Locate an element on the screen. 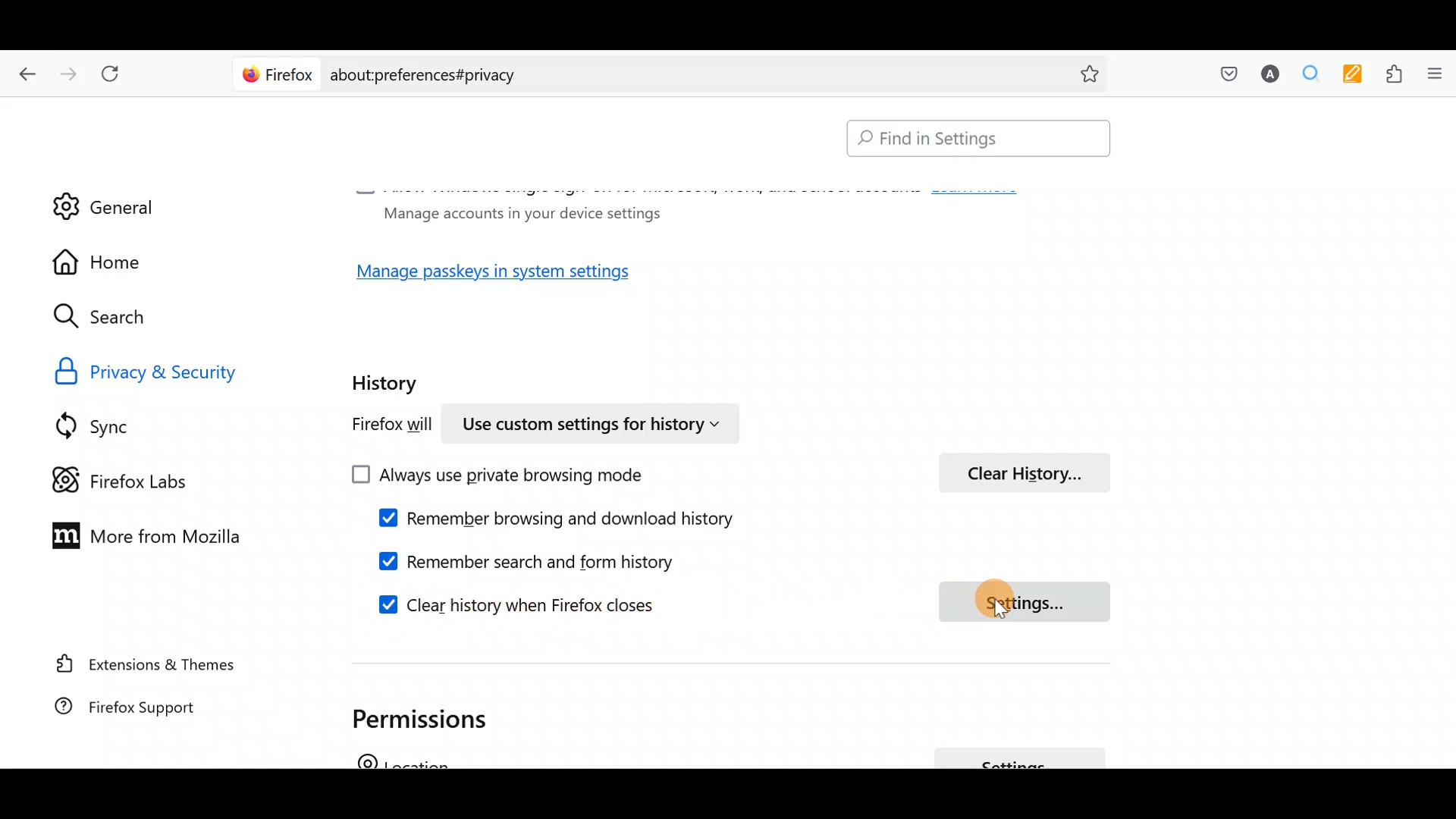 This screenshot has width=1456, height=819. Always use private browsing mode is located at coordinates (515, 476).